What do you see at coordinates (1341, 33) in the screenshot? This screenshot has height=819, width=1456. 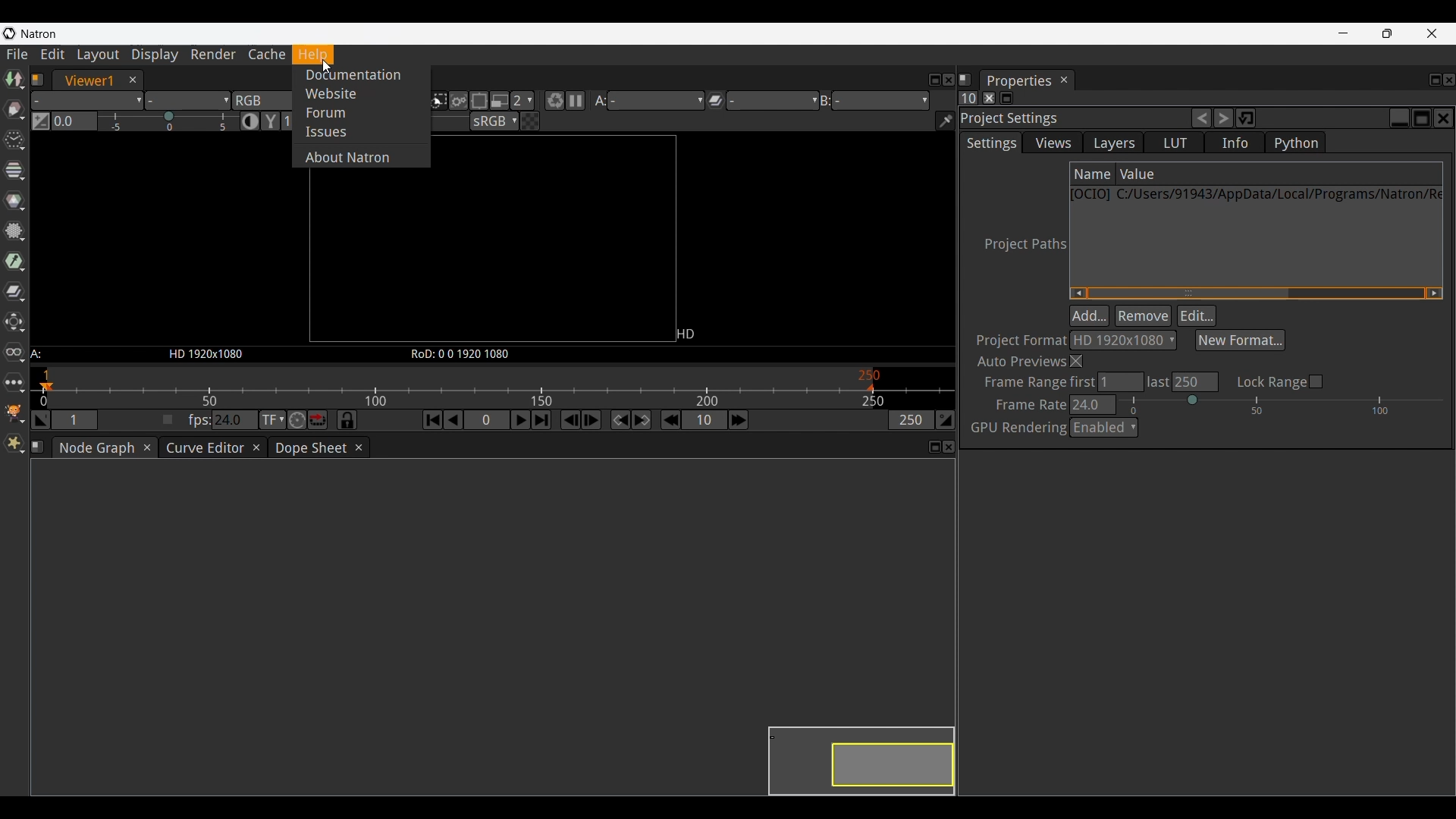 I see `Minimize` at bounding box center [1341, 33].